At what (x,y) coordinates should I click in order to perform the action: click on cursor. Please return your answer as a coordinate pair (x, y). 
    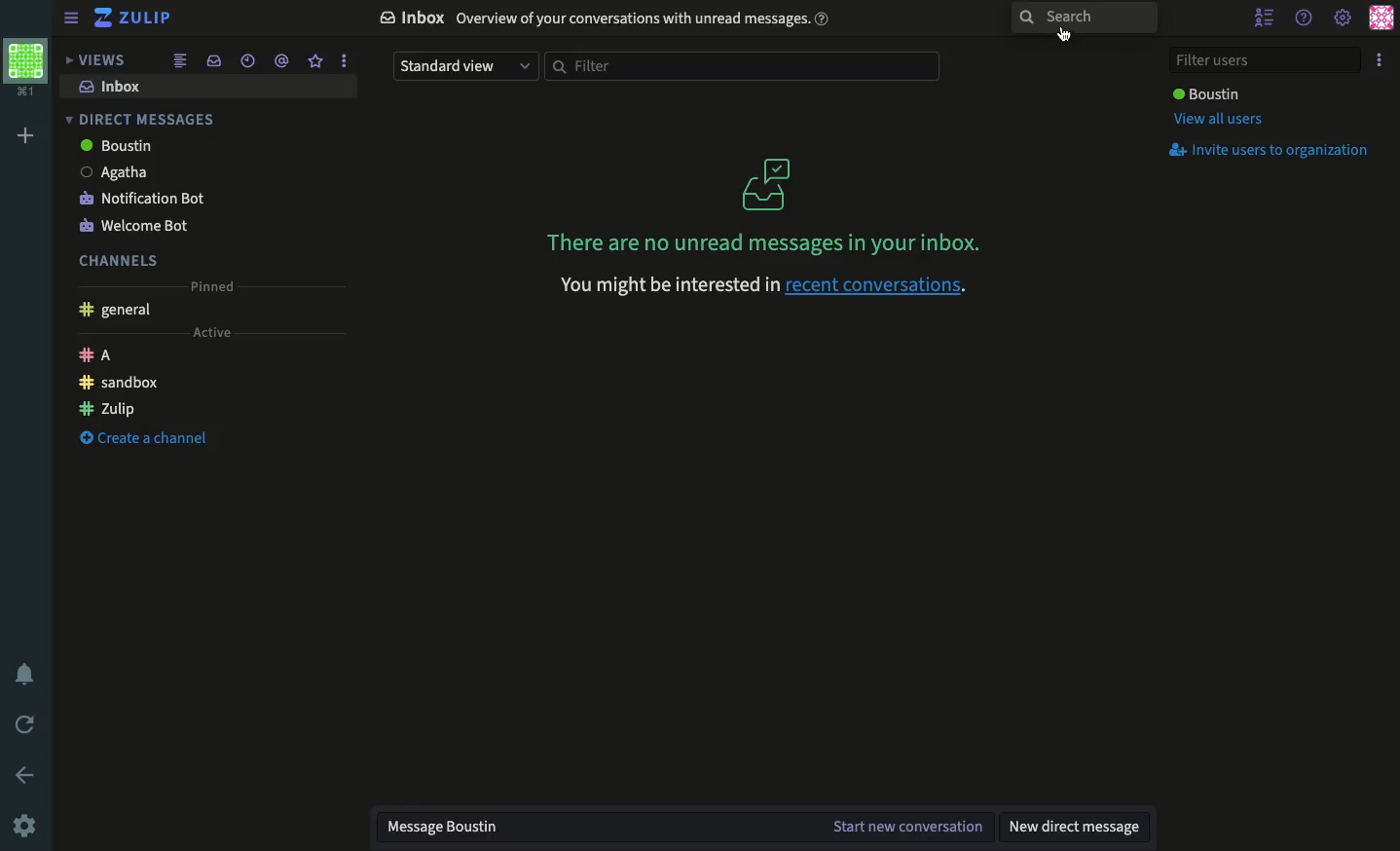
    Looking at the image, I should click on (1064, 34).